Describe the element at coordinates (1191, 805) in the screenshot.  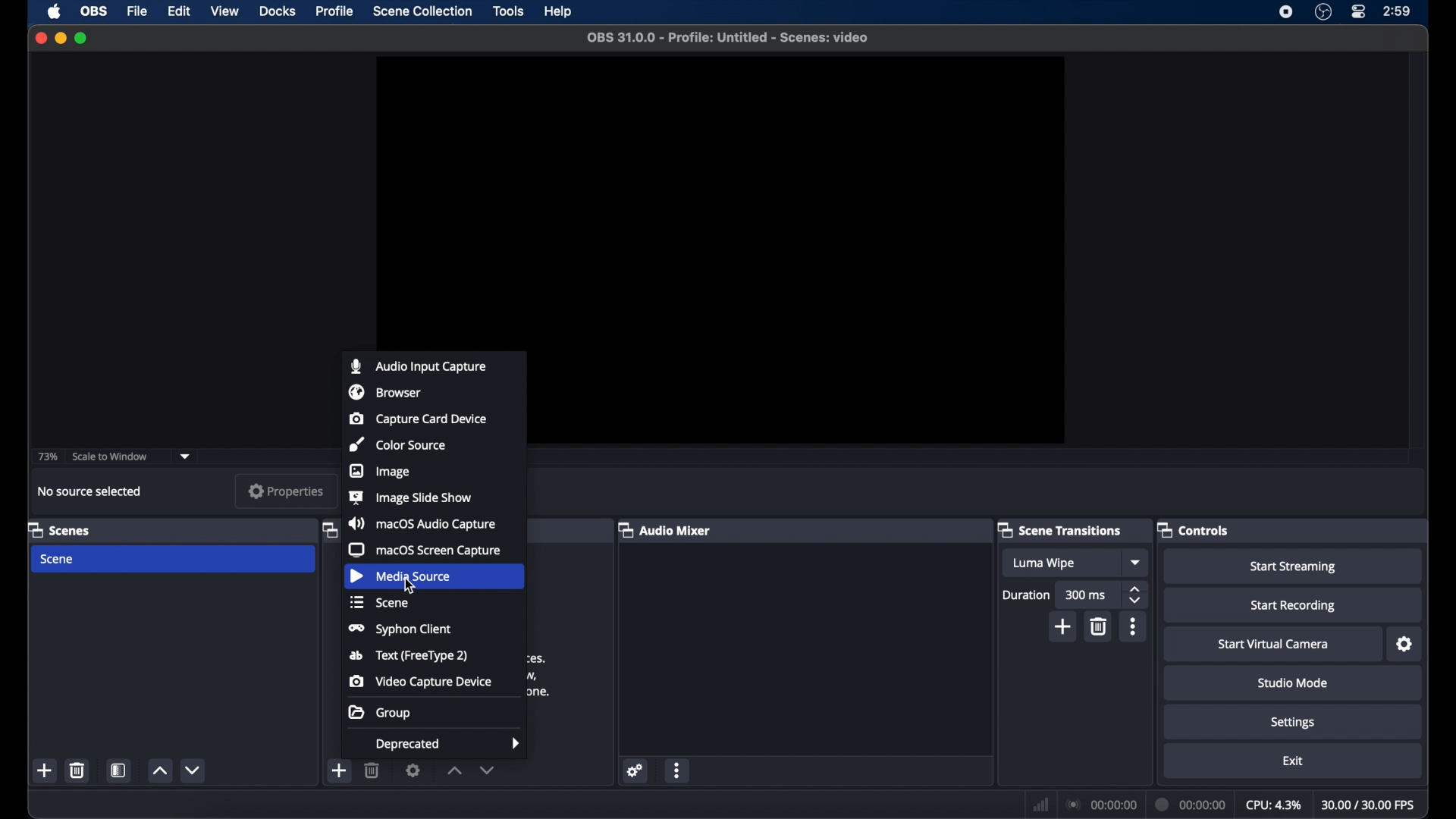
I see `duration` at that location.